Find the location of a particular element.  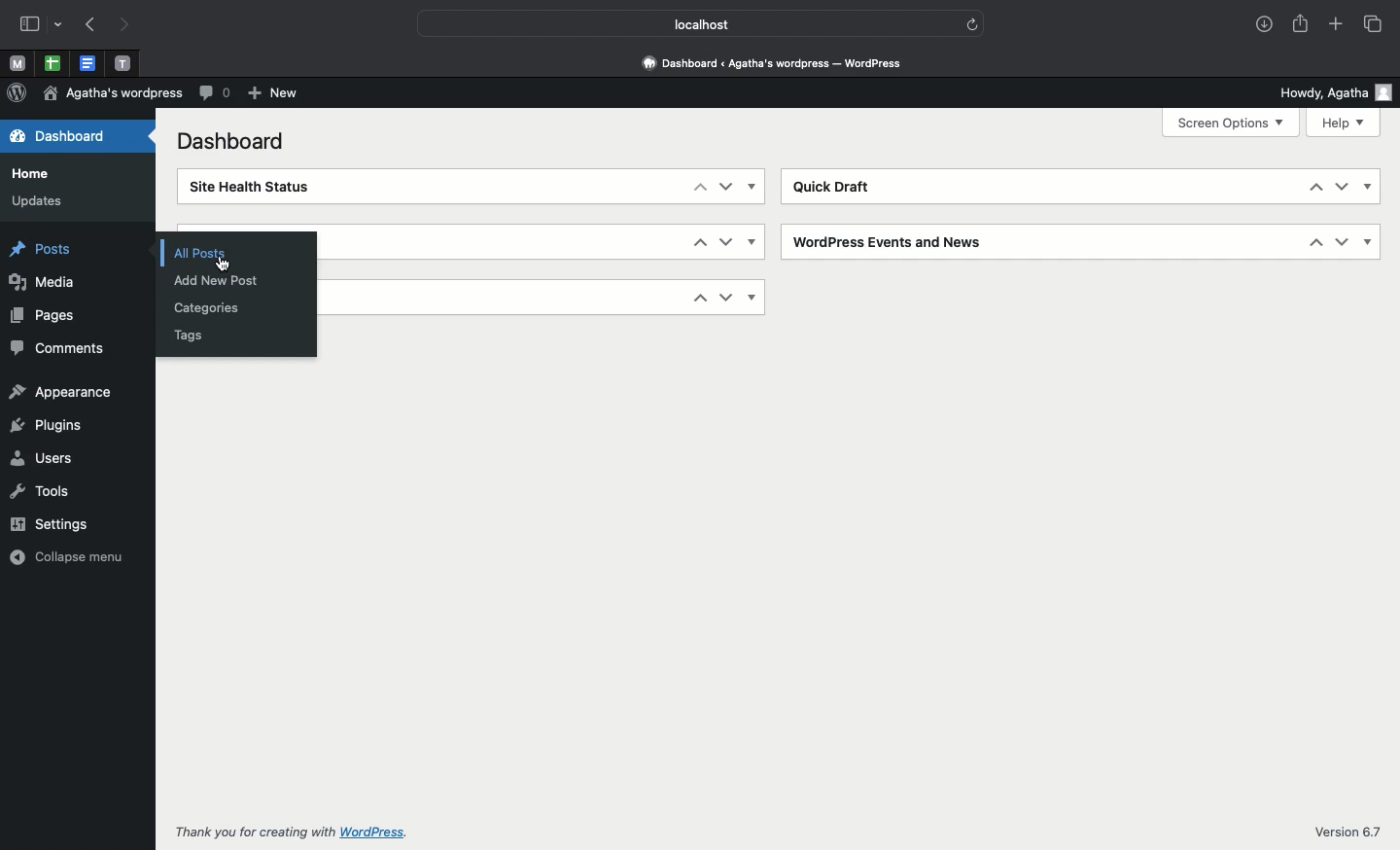

 is located at coordinates (60, 24).